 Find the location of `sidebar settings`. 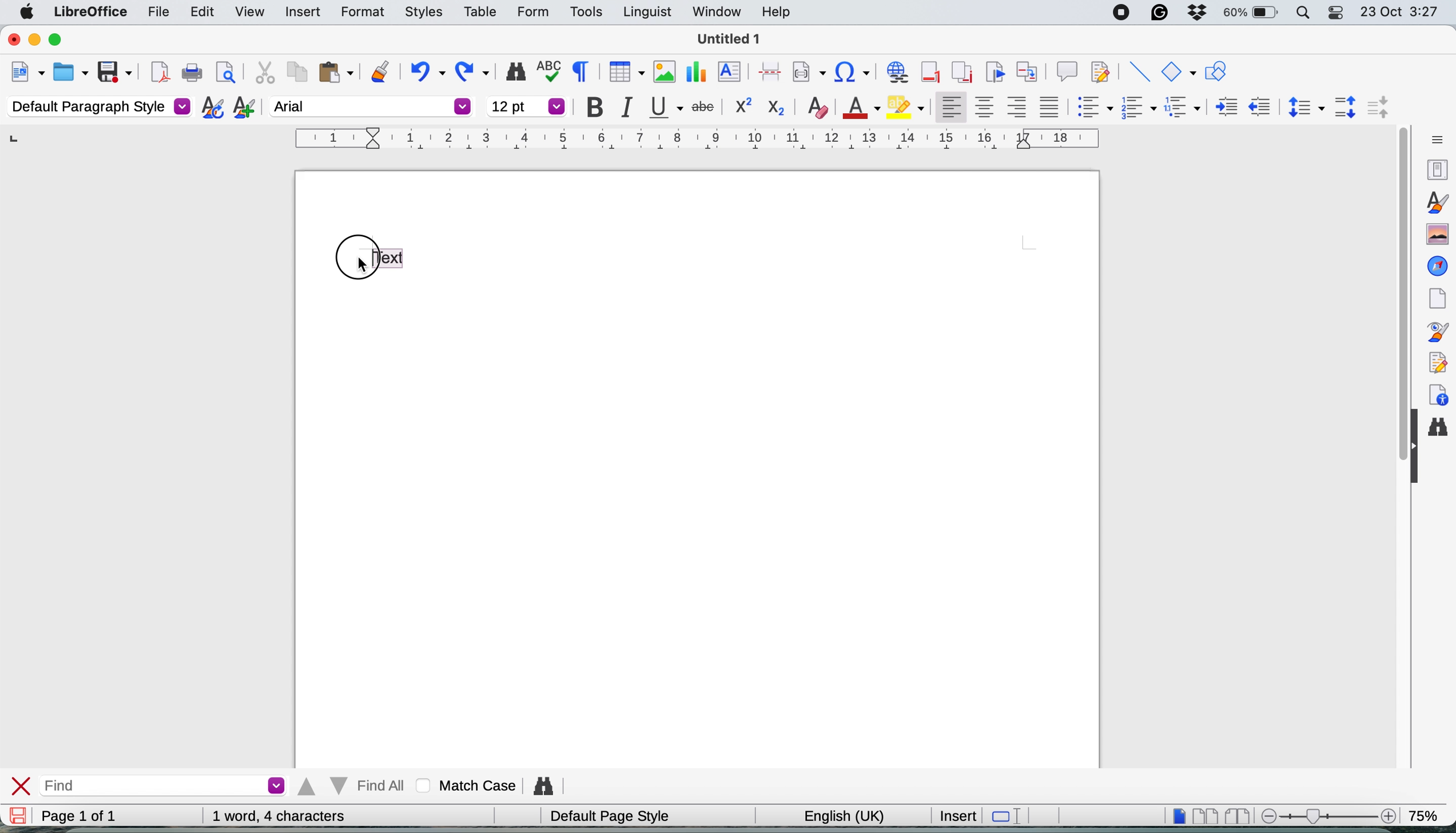

sidebar settings is located at coordinates (1434, 140).